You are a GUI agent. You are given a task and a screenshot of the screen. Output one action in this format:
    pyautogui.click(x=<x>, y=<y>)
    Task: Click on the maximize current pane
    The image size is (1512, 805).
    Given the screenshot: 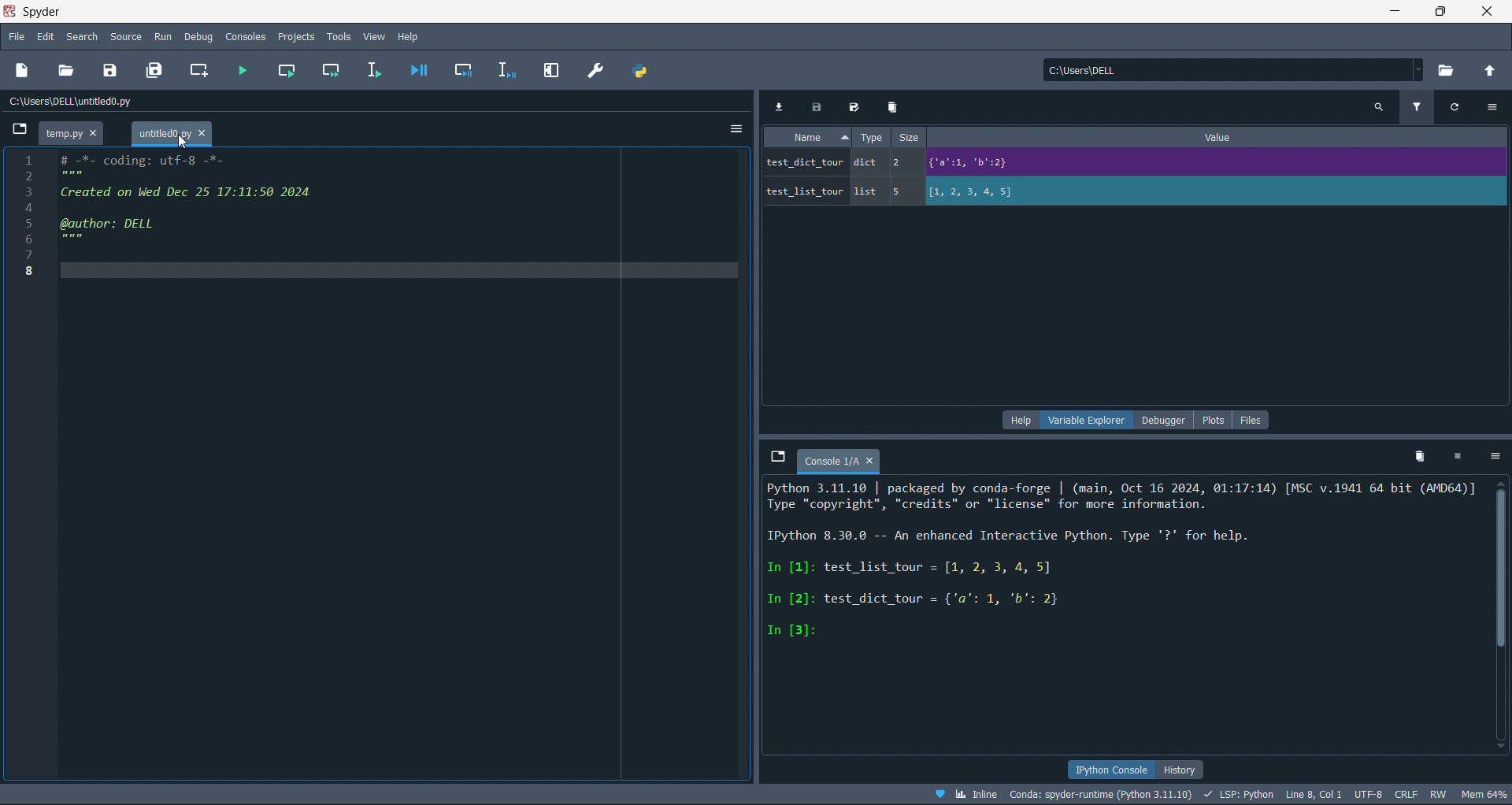 What is the action you would take?
    pyautogui.click(x=552, y=71)
    